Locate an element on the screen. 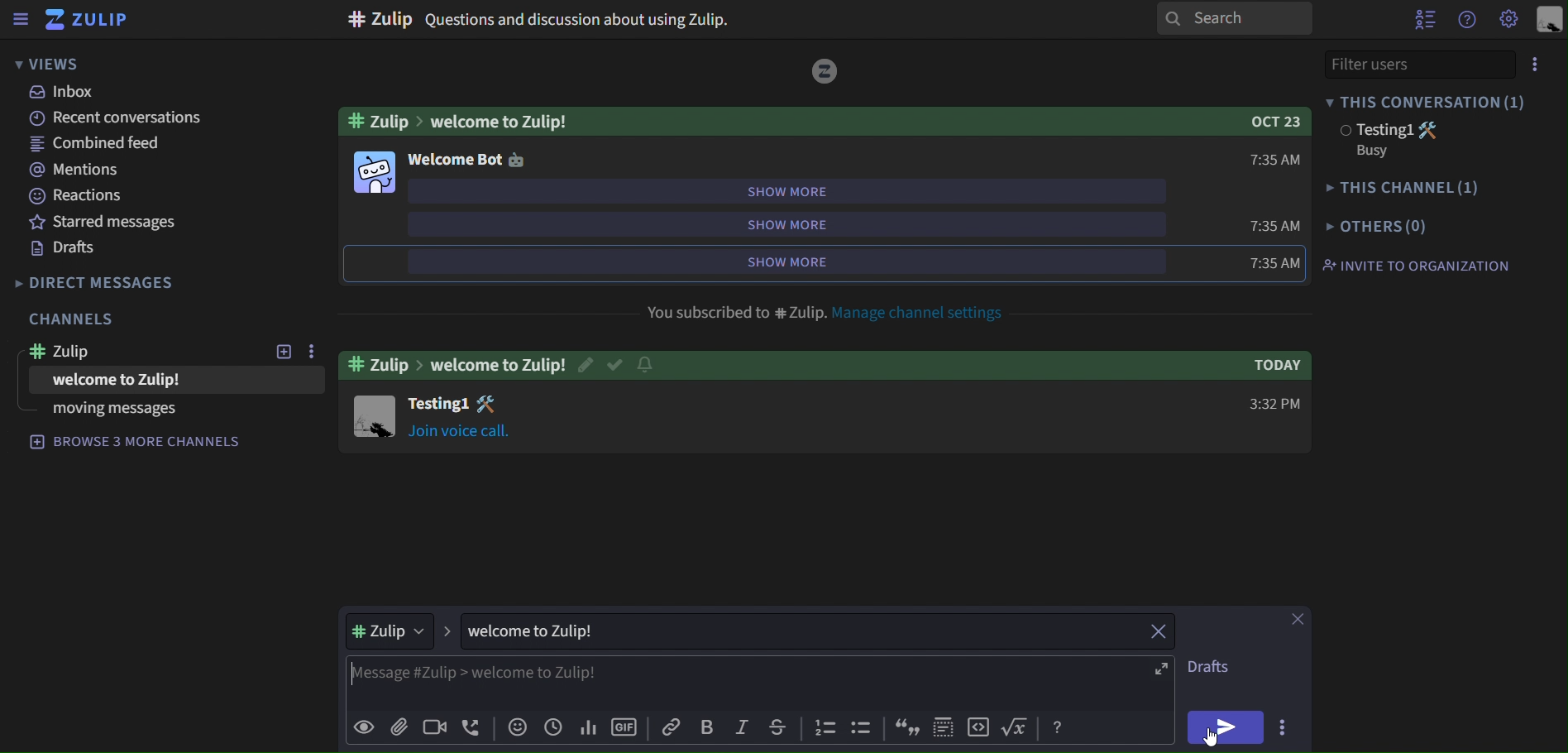  icon is located at coordinates (978, 728).